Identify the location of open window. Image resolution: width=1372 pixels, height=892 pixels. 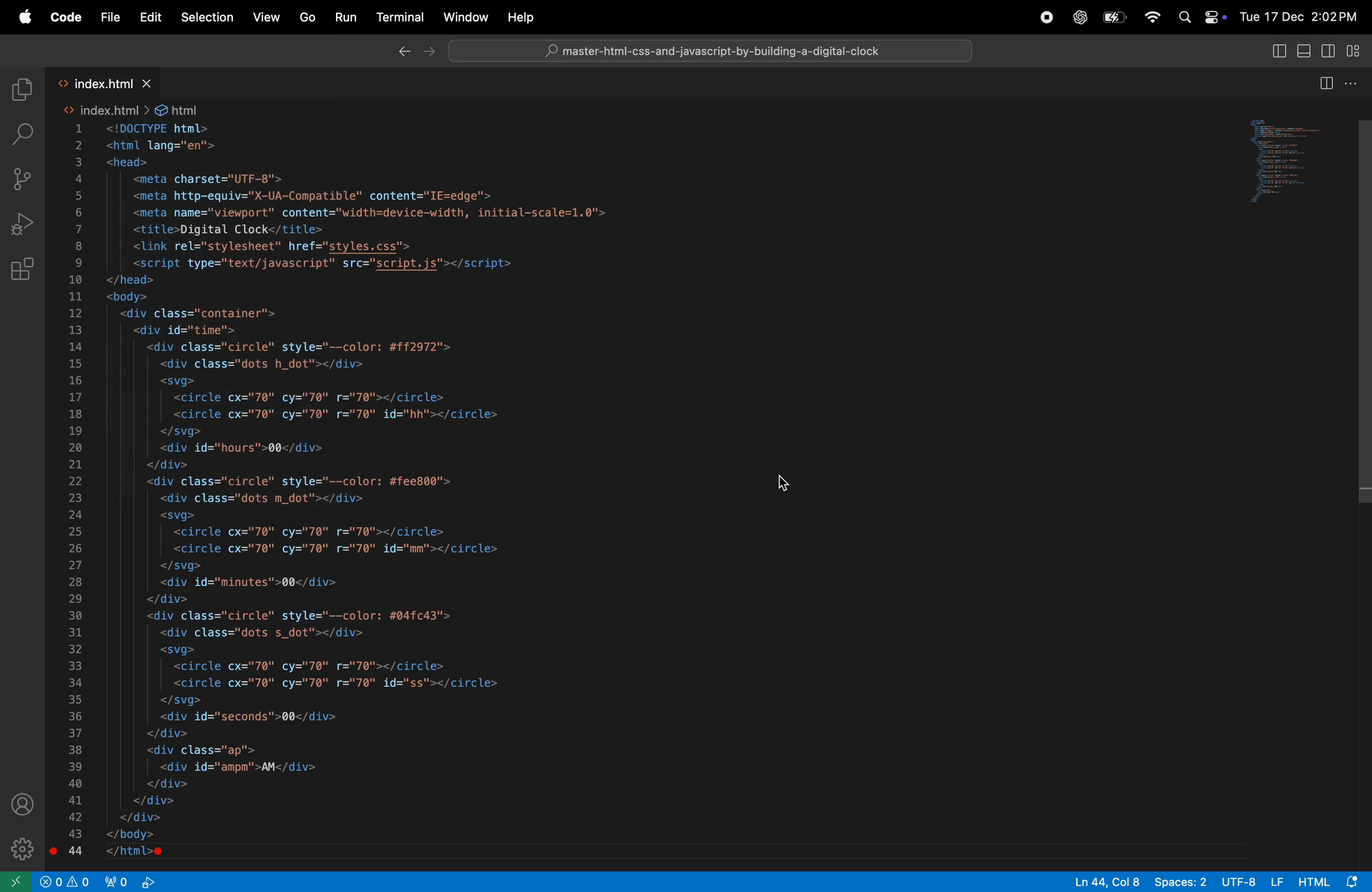
(16, 881).